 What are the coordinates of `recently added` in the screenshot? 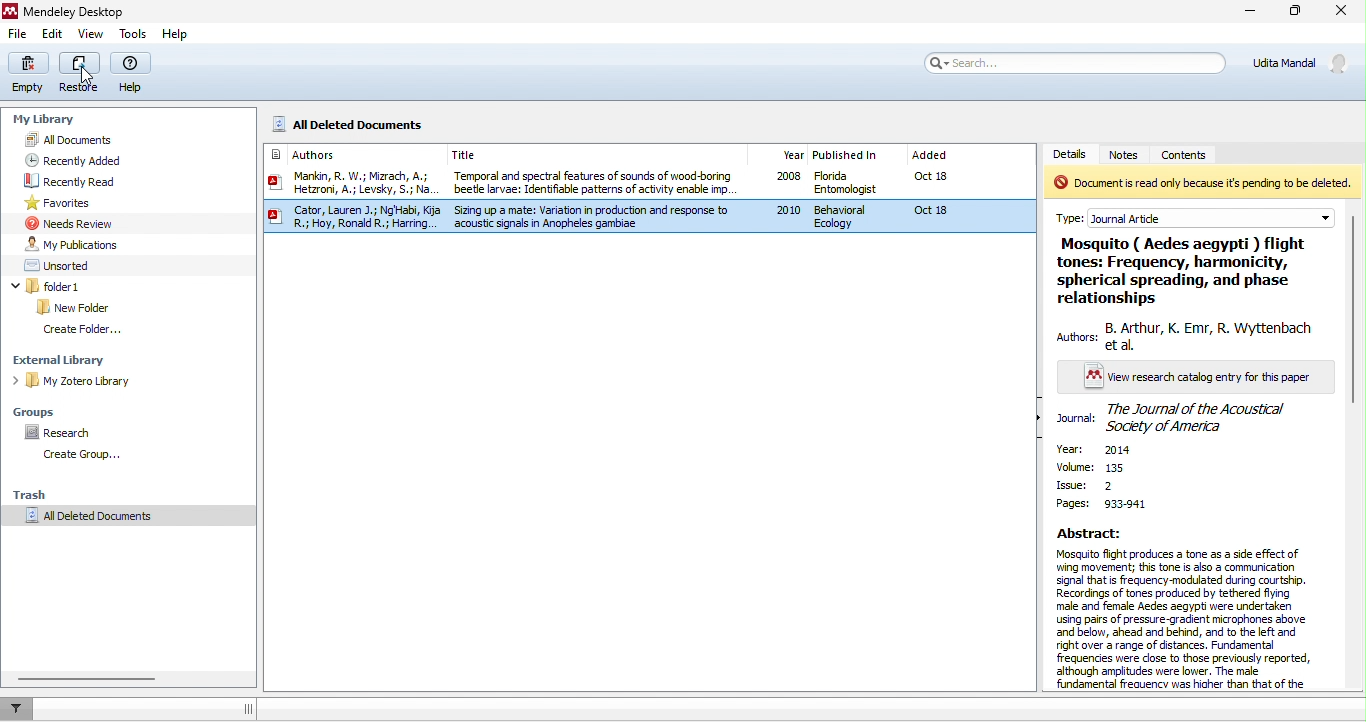 It's located at (99, 161).